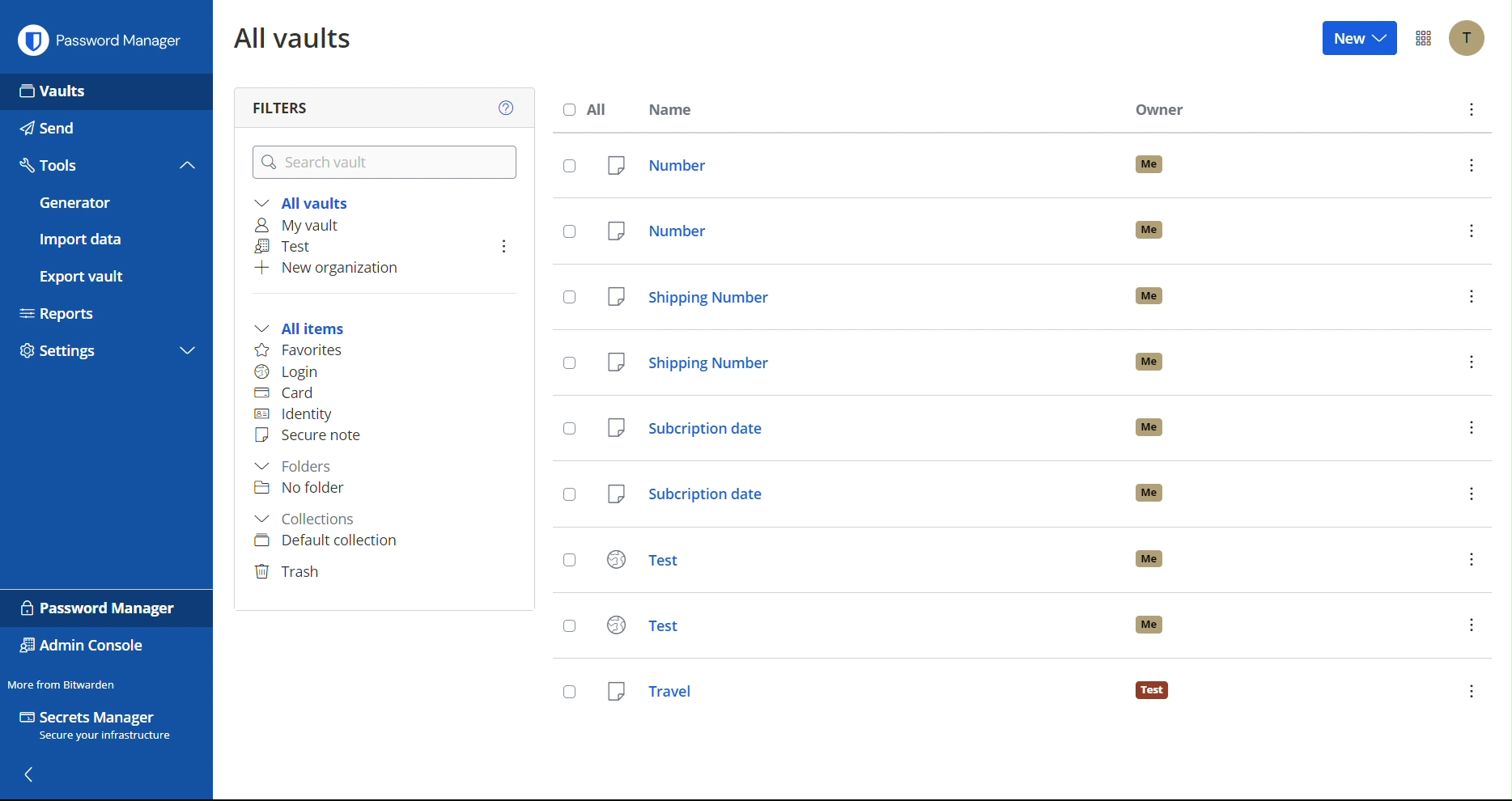  What do you see at coordinates (312, 434) in the screenshot?
I see `Secure note` at bounding box center [312, 434].